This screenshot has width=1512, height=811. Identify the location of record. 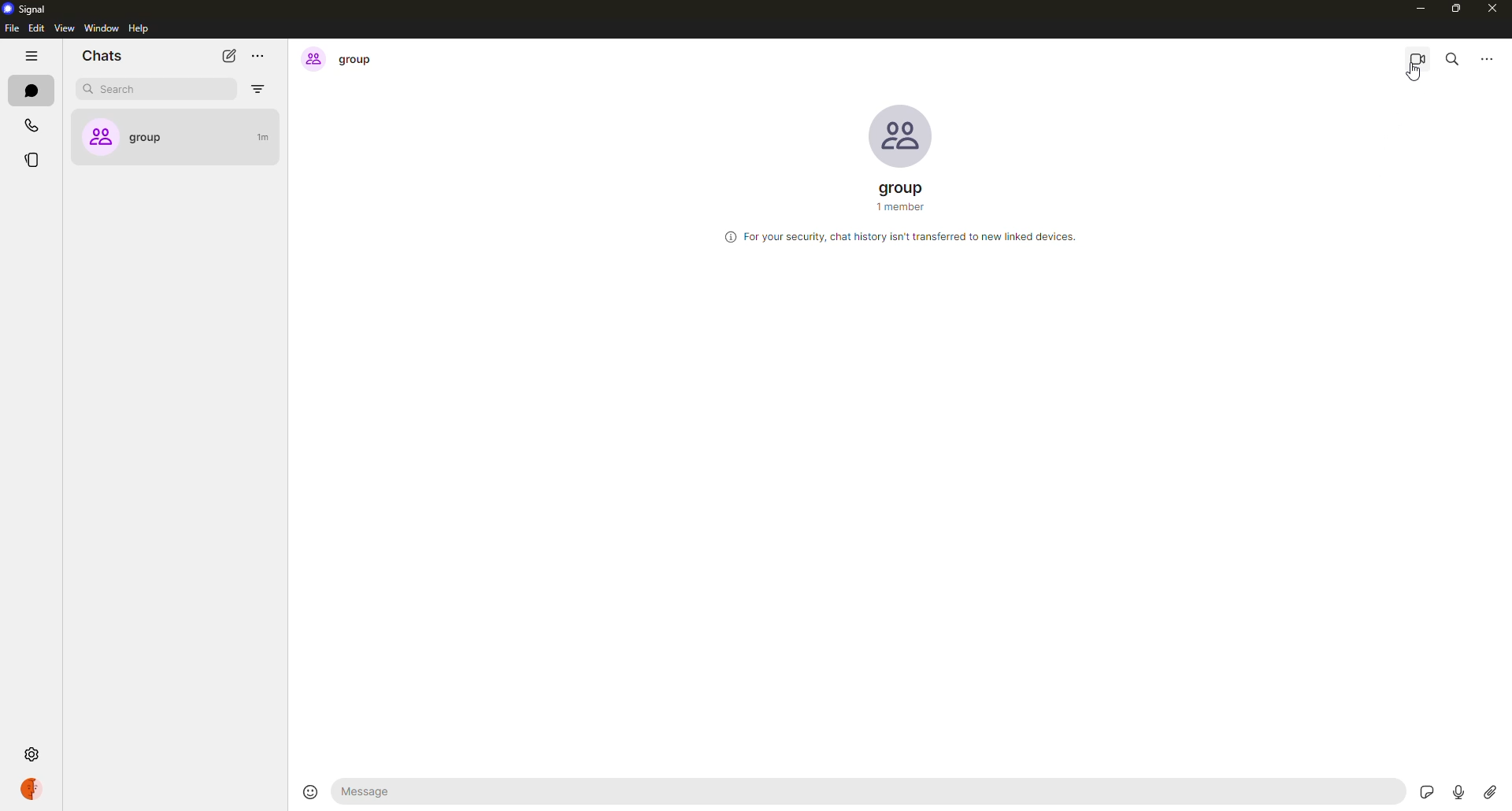
(1458, 791).